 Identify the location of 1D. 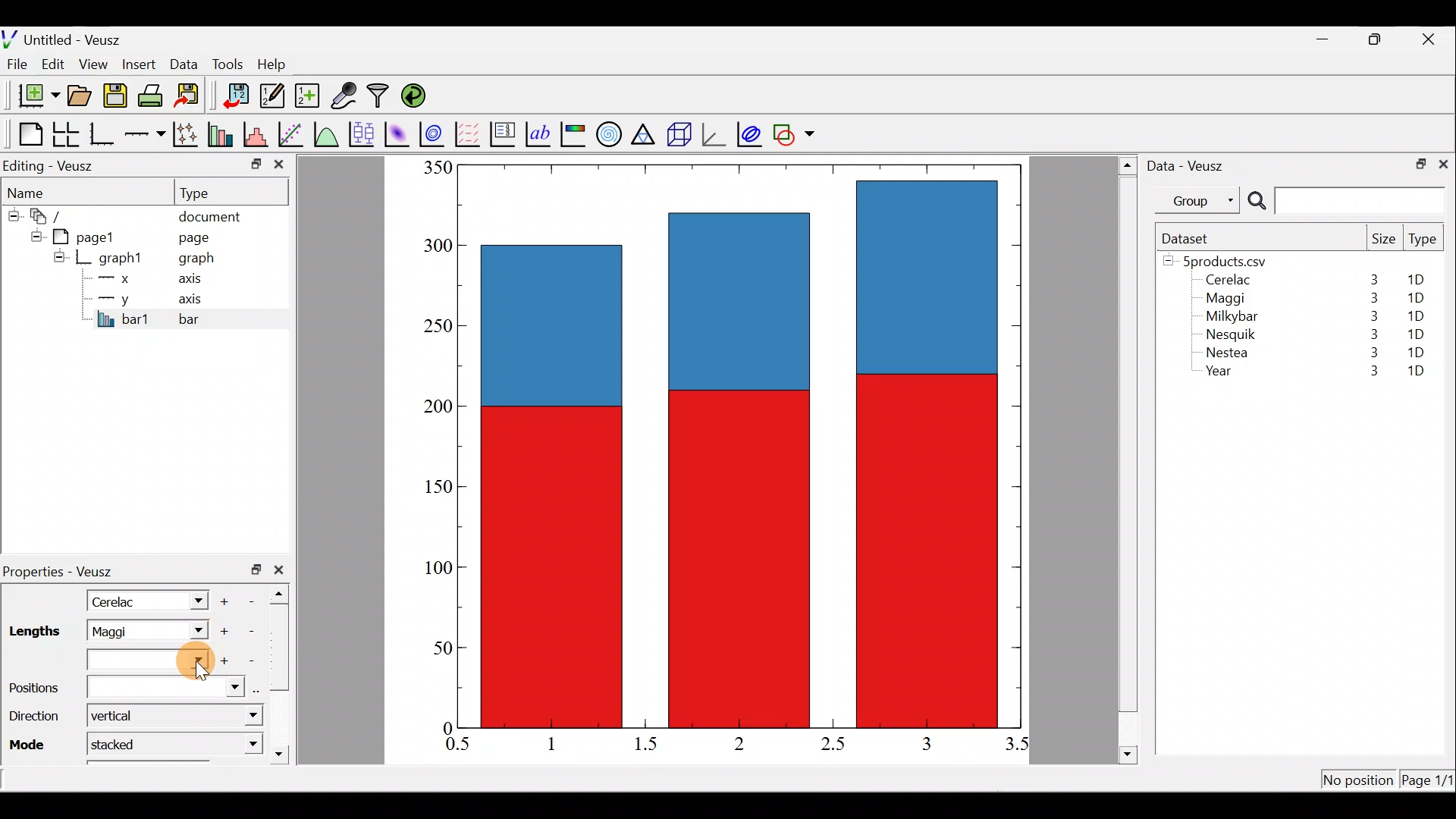
(1416, 352).